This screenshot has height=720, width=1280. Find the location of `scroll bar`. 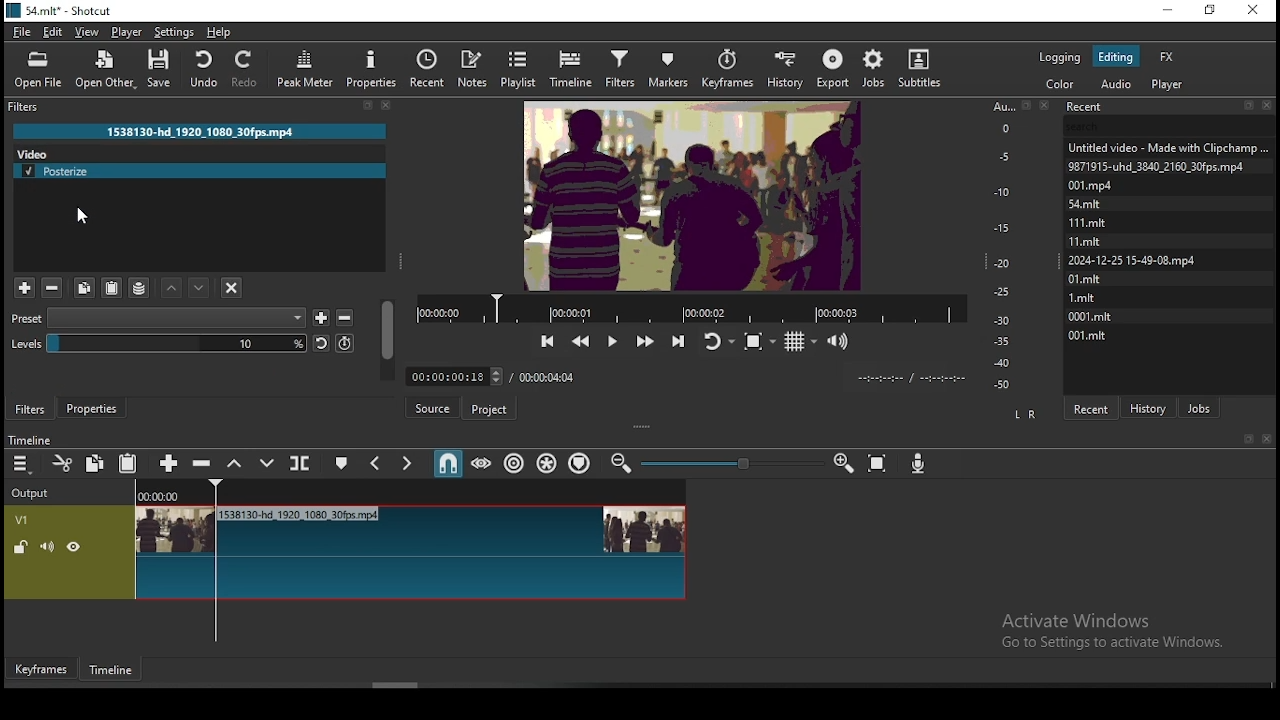

scroll bar is located at coordinates (389, 345).